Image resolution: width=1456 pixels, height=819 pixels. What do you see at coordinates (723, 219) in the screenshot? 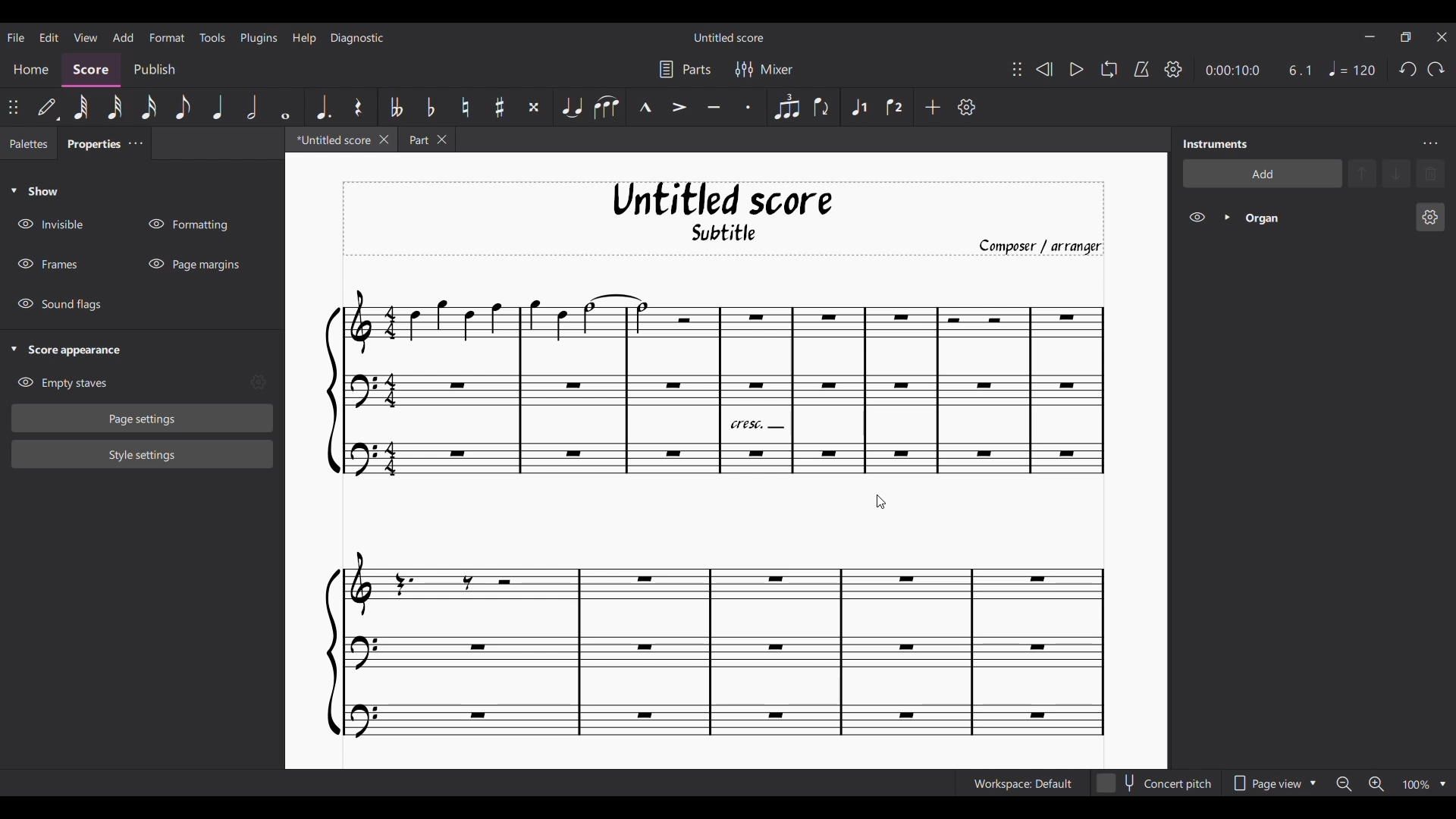
I see `Score title, sub-title, and composer name` at bounding box center [723, 219].